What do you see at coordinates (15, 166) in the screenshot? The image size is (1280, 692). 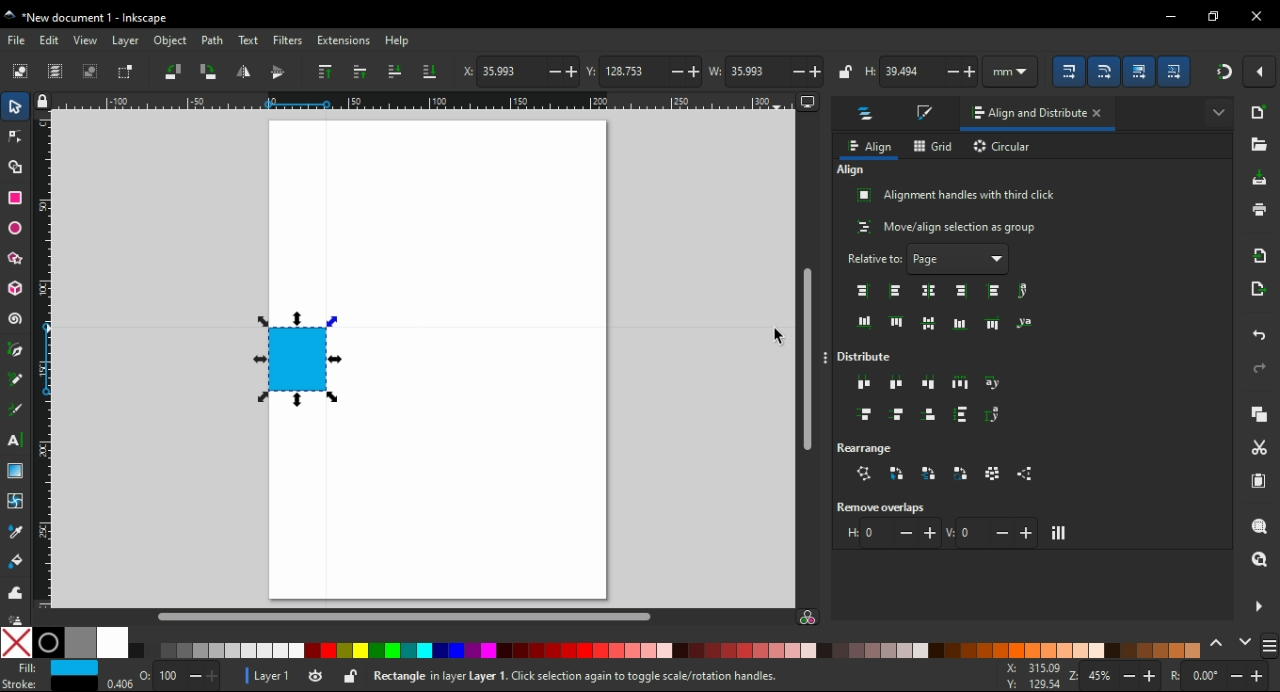 I see `shape builder tool` at bounding box center [15, 166].